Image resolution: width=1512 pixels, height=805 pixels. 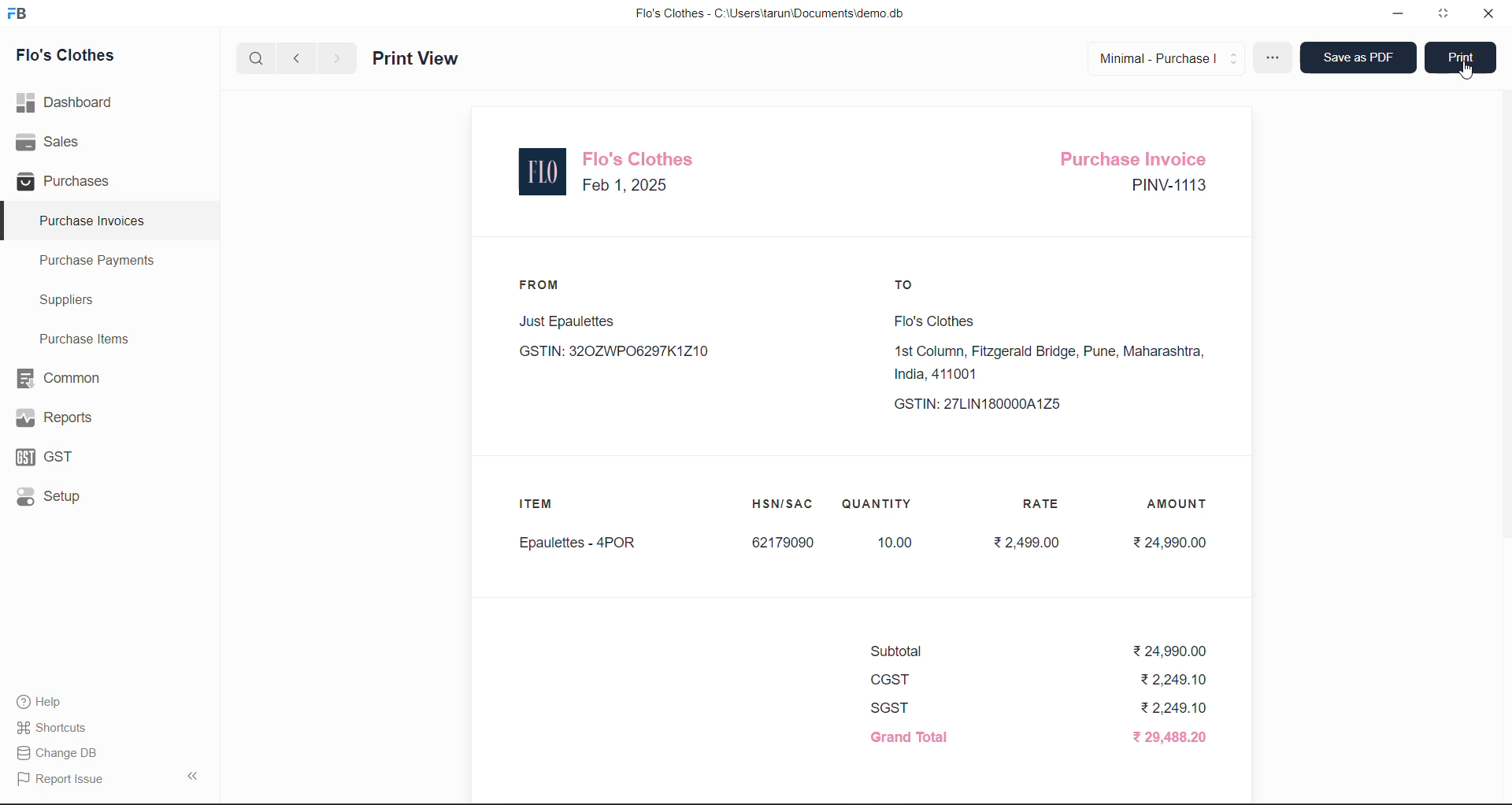 What do you see at coordinates (897, 542) in the screenshot?
I see `10.00` at bounding box center [897, 542].